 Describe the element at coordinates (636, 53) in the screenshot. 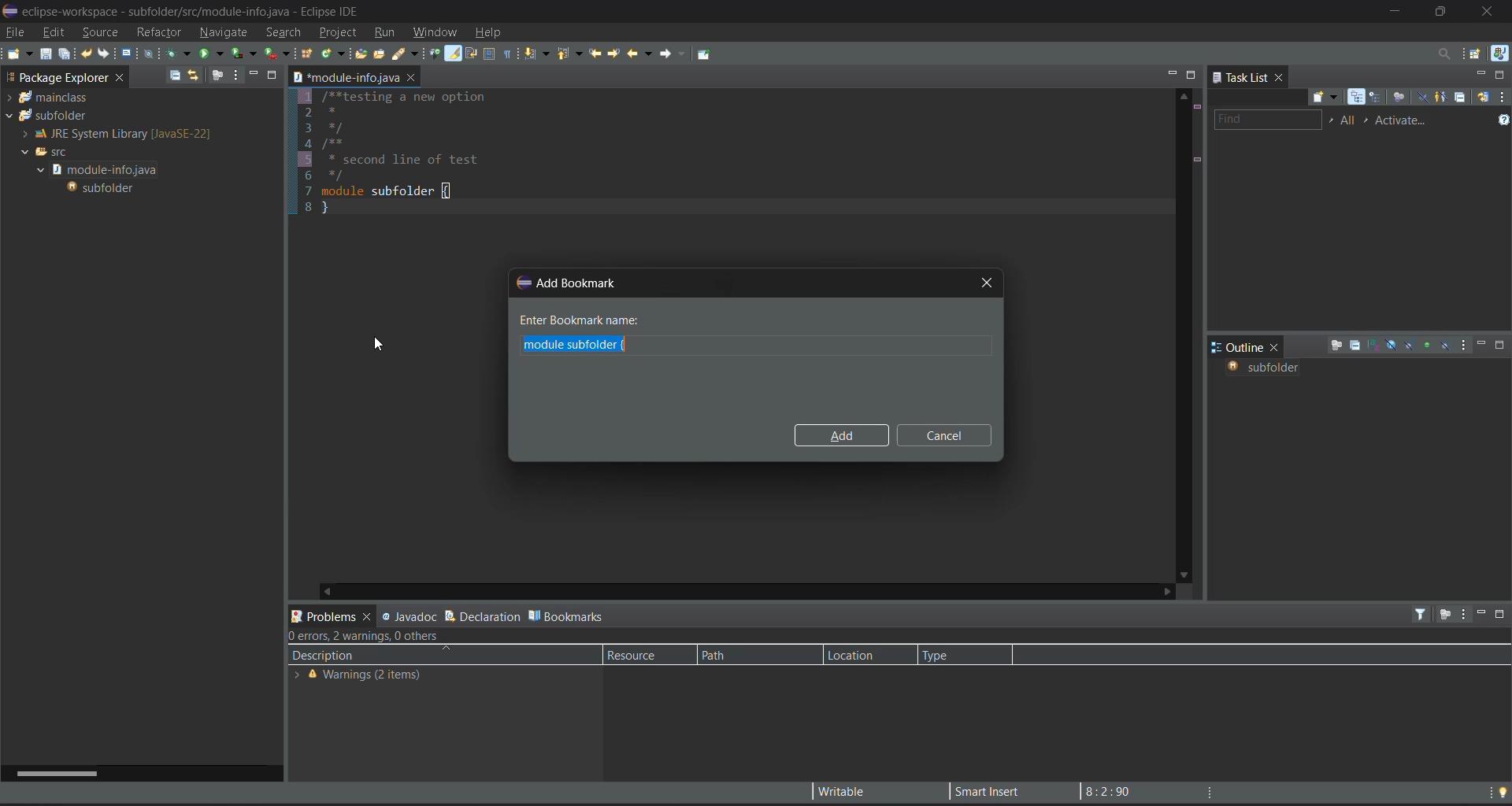

I see `back` at that location.